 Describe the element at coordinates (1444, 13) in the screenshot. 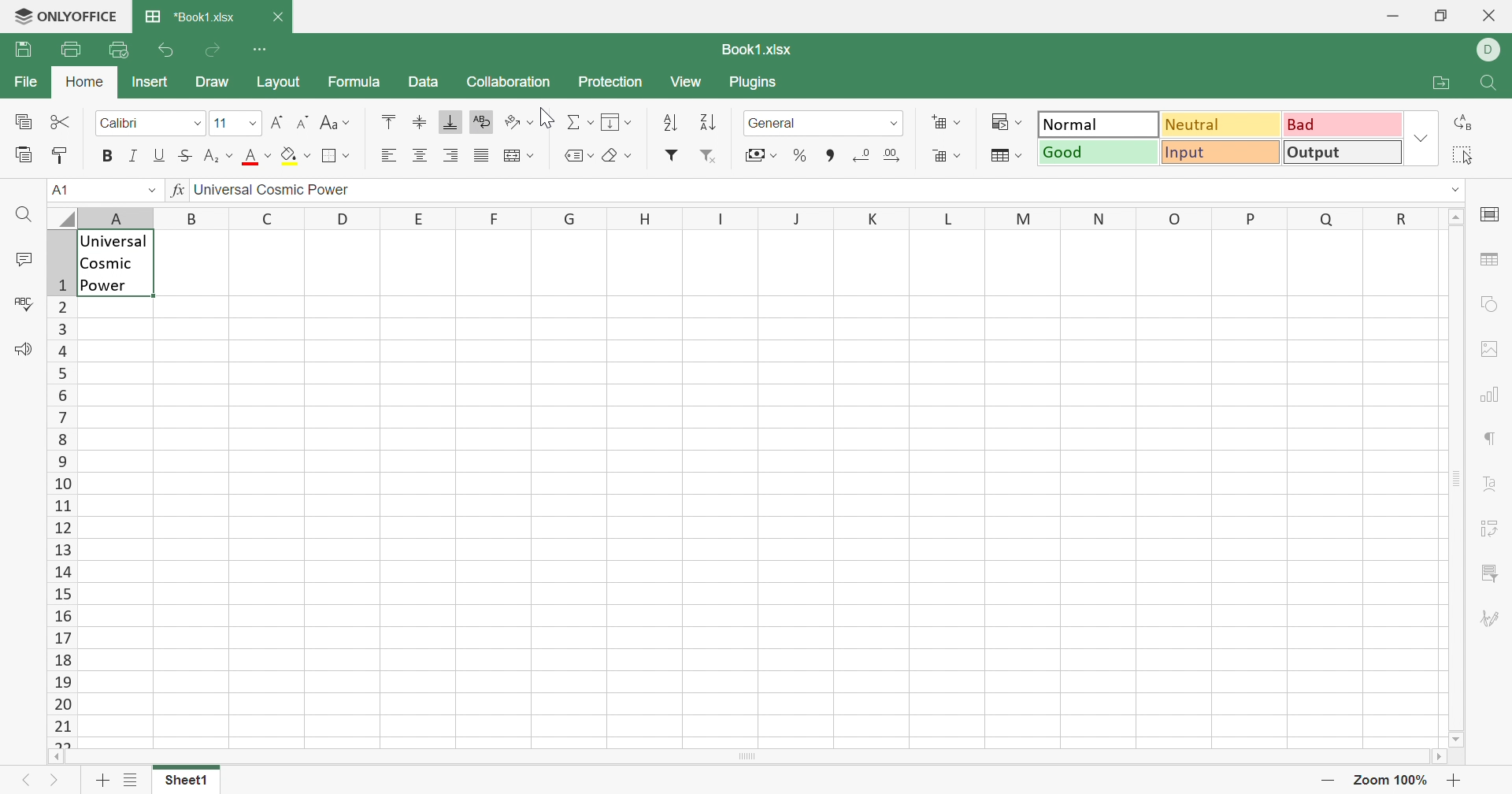

I see `Restore Down` at that location.